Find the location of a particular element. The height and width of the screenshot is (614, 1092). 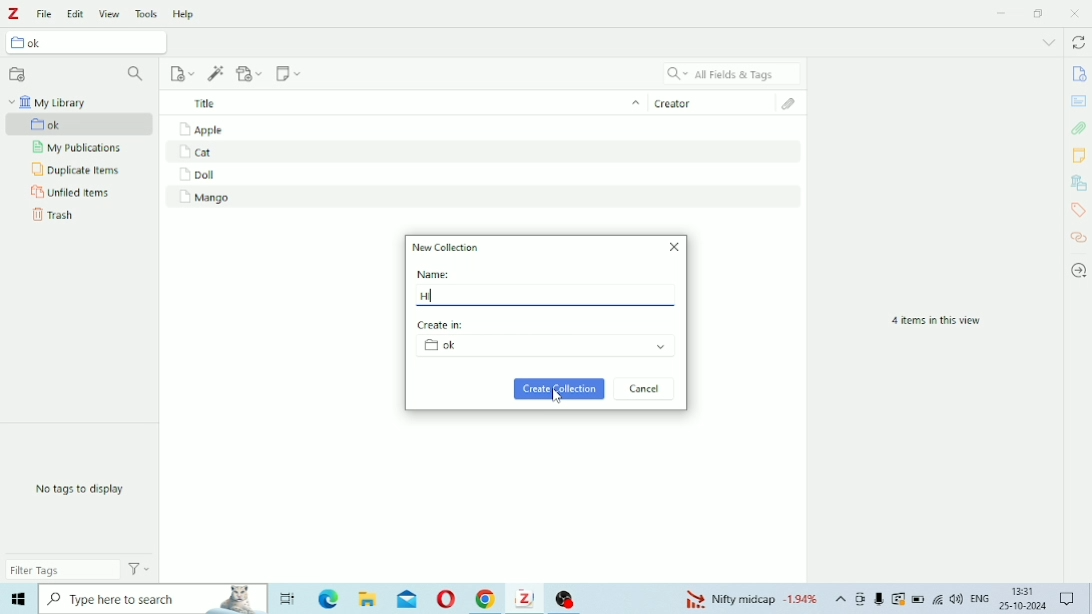

Cat is located at coordinates (207, 150).